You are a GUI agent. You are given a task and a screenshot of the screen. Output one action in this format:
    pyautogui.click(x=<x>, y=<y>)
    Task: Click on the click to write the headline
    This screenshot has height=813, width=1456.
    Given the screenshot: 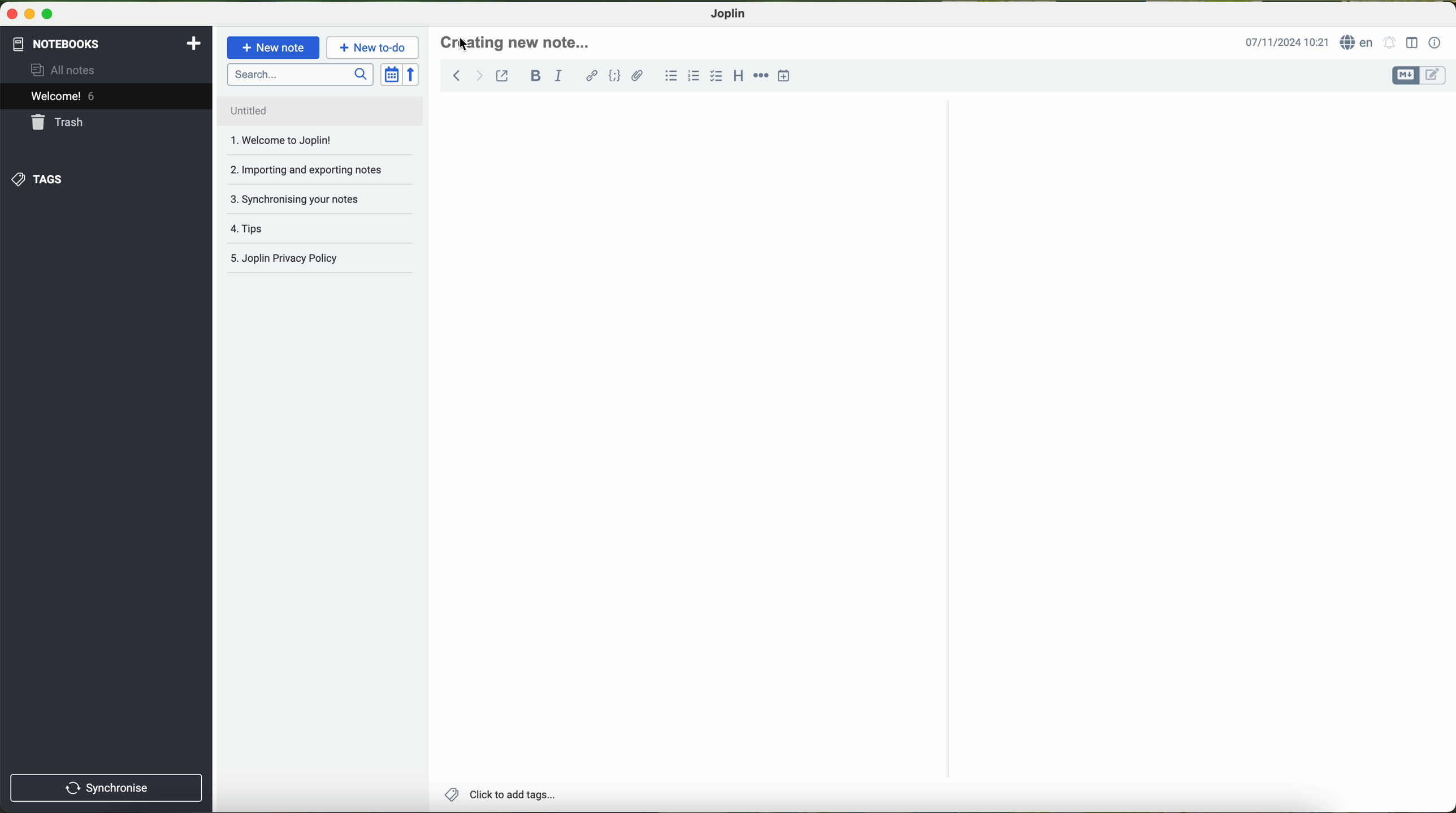 What is the action you would take?
    pyautogui.click(x=513, y=47)
    